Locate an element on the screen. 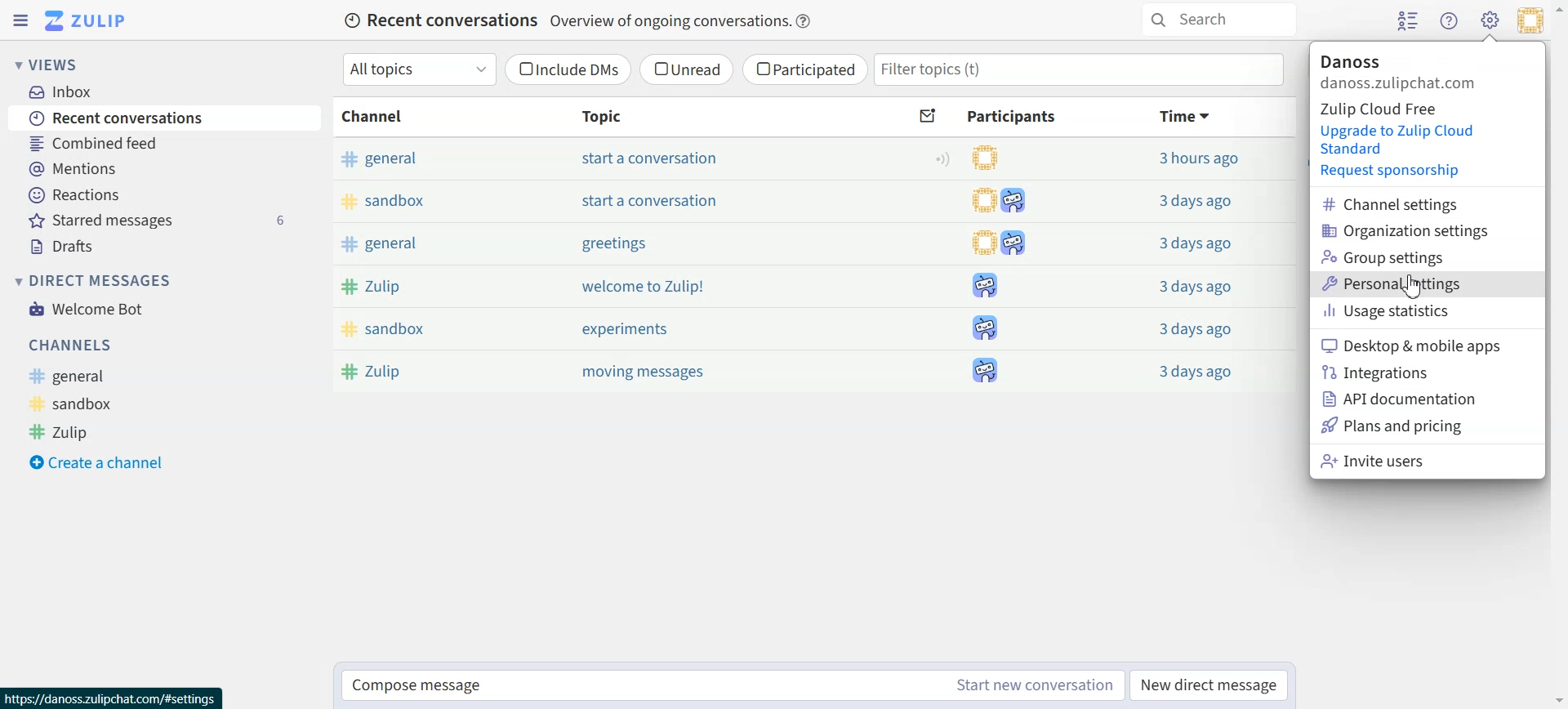 Image resolution: width=1568 pixels, height=709 pixels. 3 days ago is located at coordinates (1192, 288).